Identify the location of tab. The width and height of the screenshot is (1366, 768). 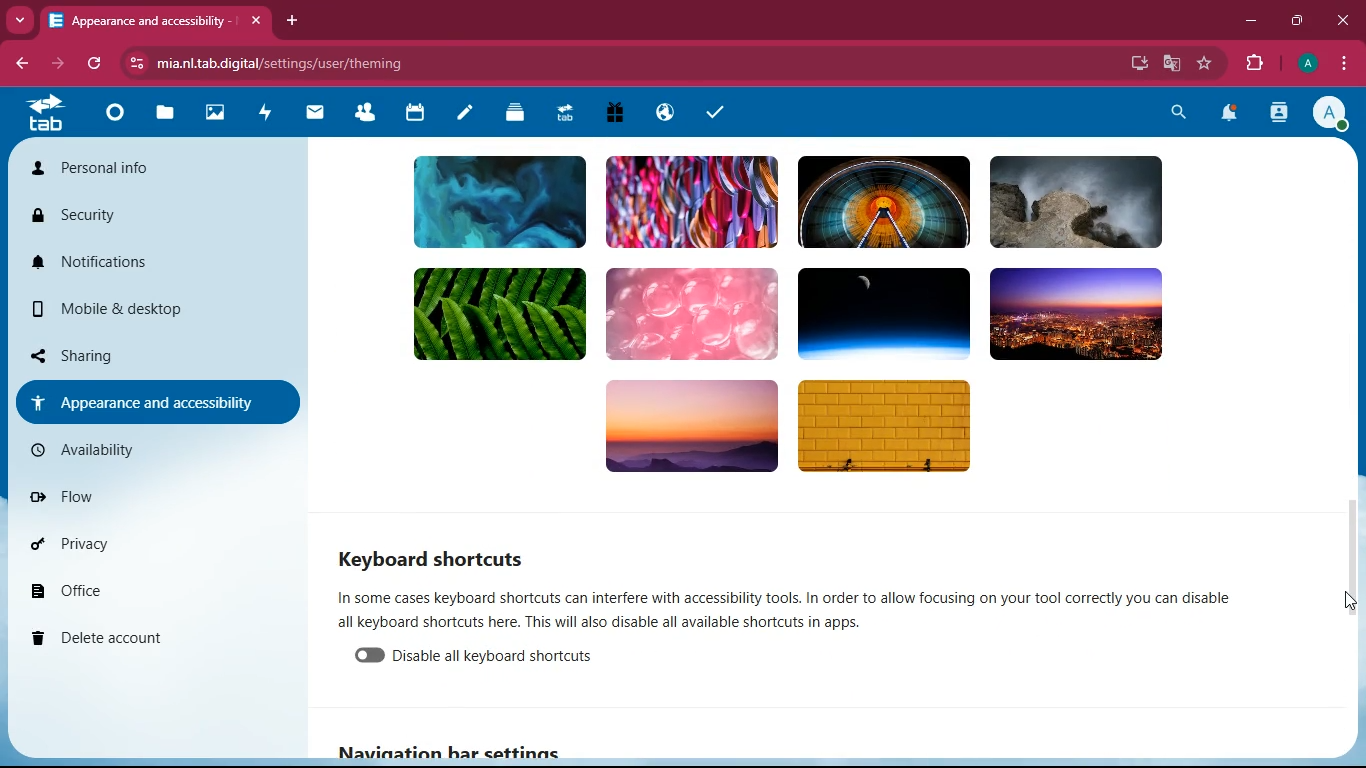
(46, 112).